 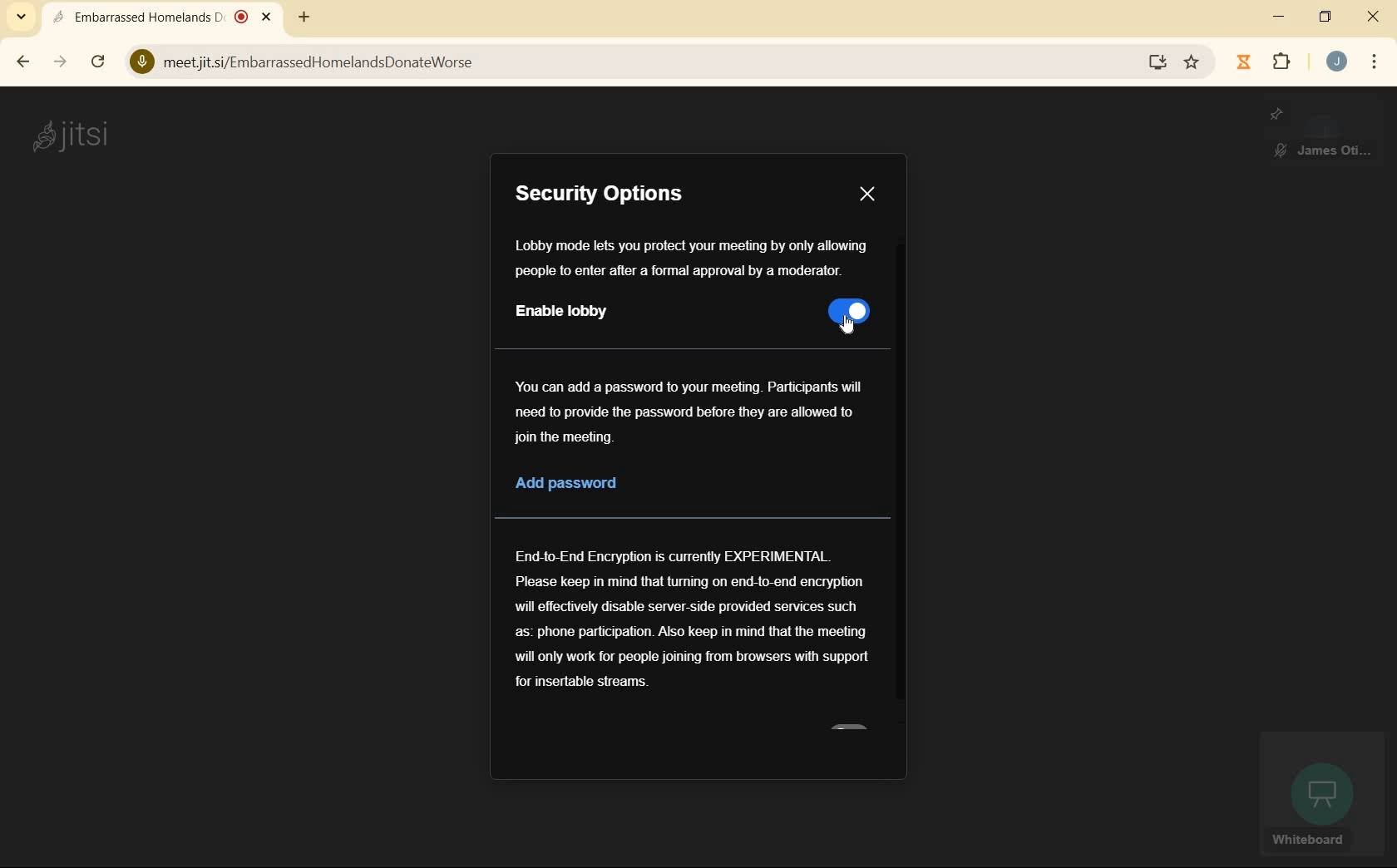 What do you see at coordinates (1320, 796) in the screenshot?
I see `whiteboard` at bounding box center [1320, 796].